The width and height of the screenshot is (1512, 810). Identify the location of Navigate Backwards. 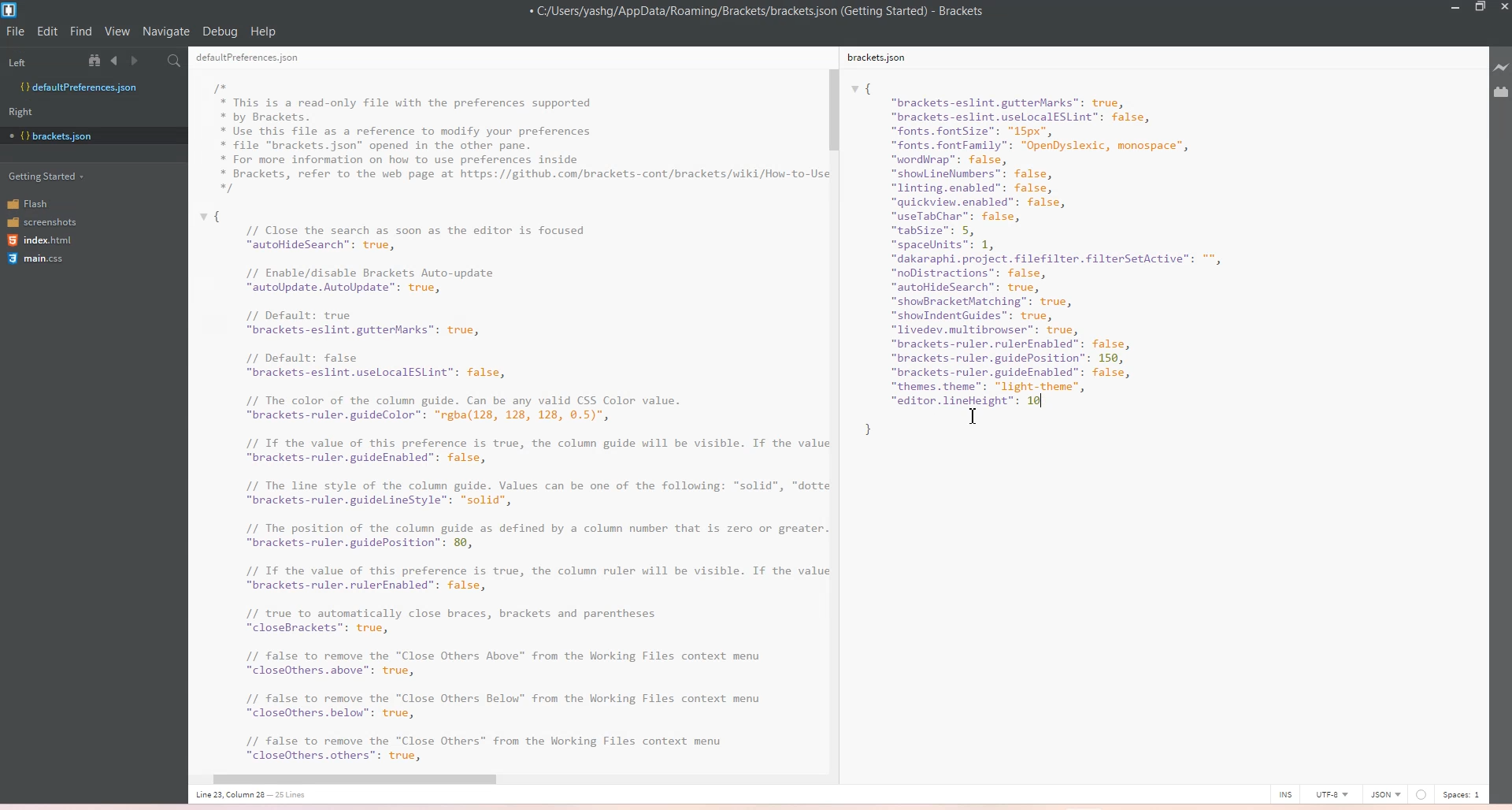
(117, 61).